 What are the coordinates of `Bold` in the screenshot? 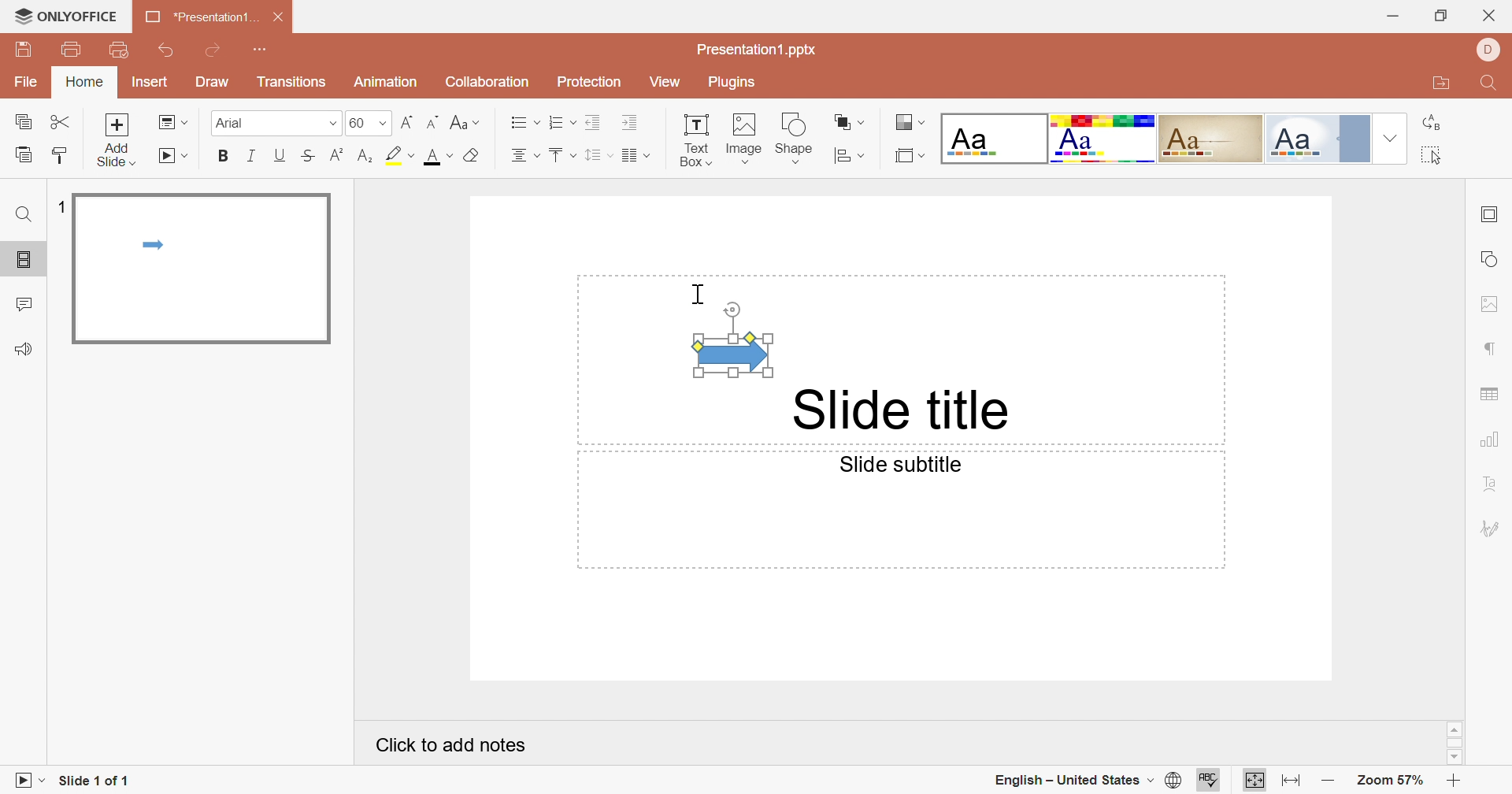 It's located at (221, 154).